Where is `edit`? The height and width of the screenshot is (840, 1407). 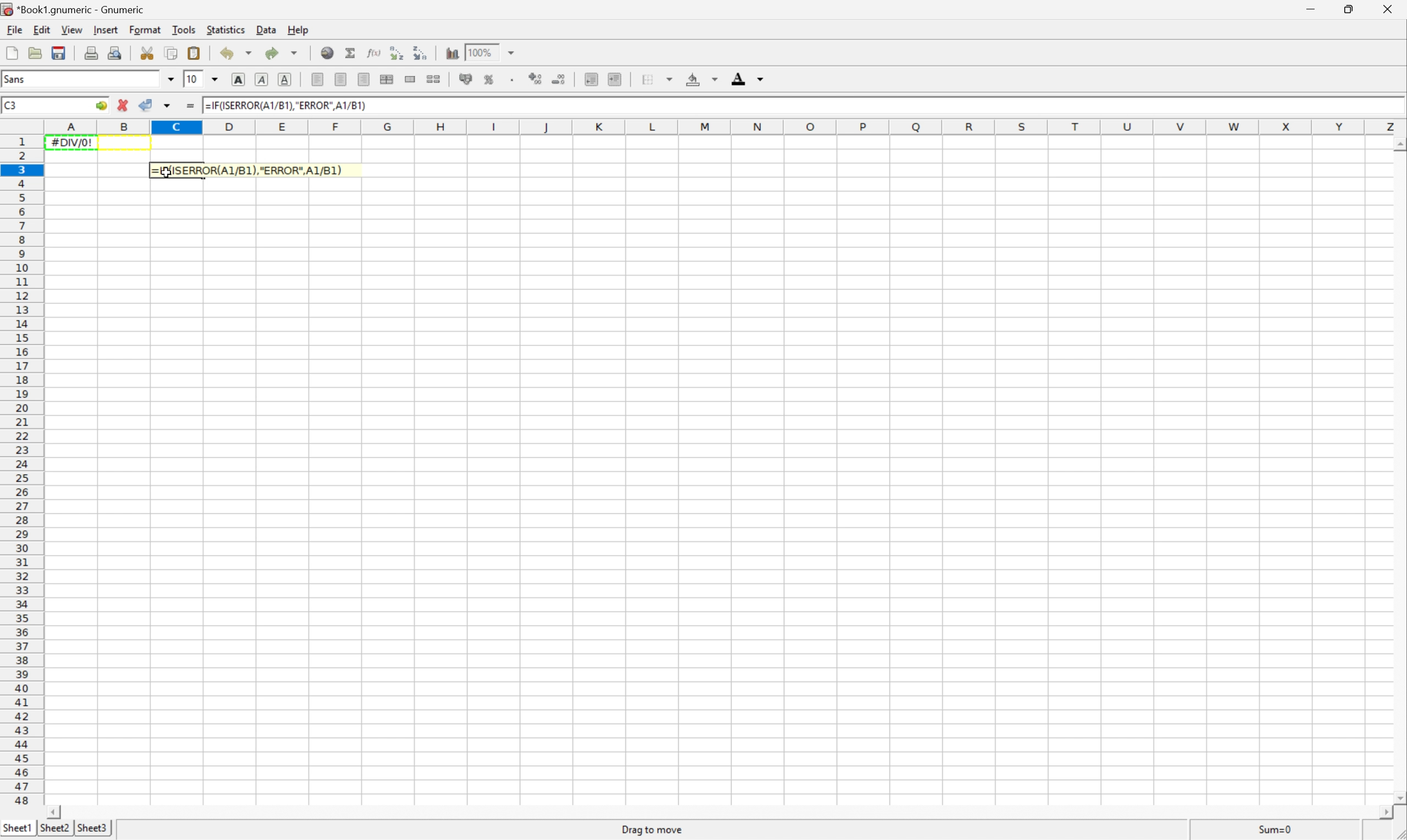
edit is located at coordinates (43, 31).